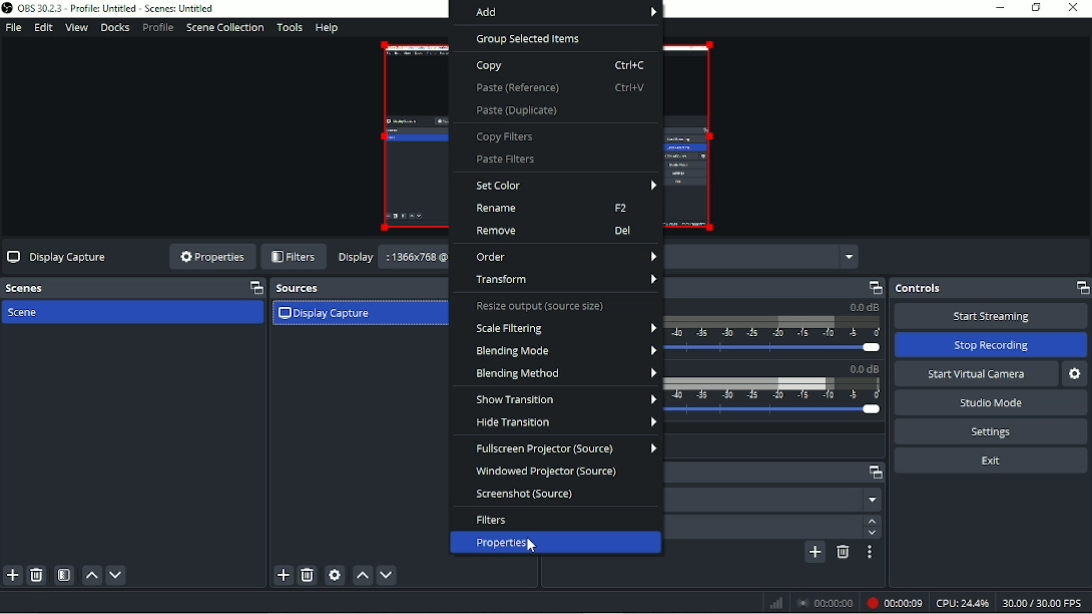 The height and width of the screenshot is (614, 1092). I want to click on Fade, so click(777, 499).